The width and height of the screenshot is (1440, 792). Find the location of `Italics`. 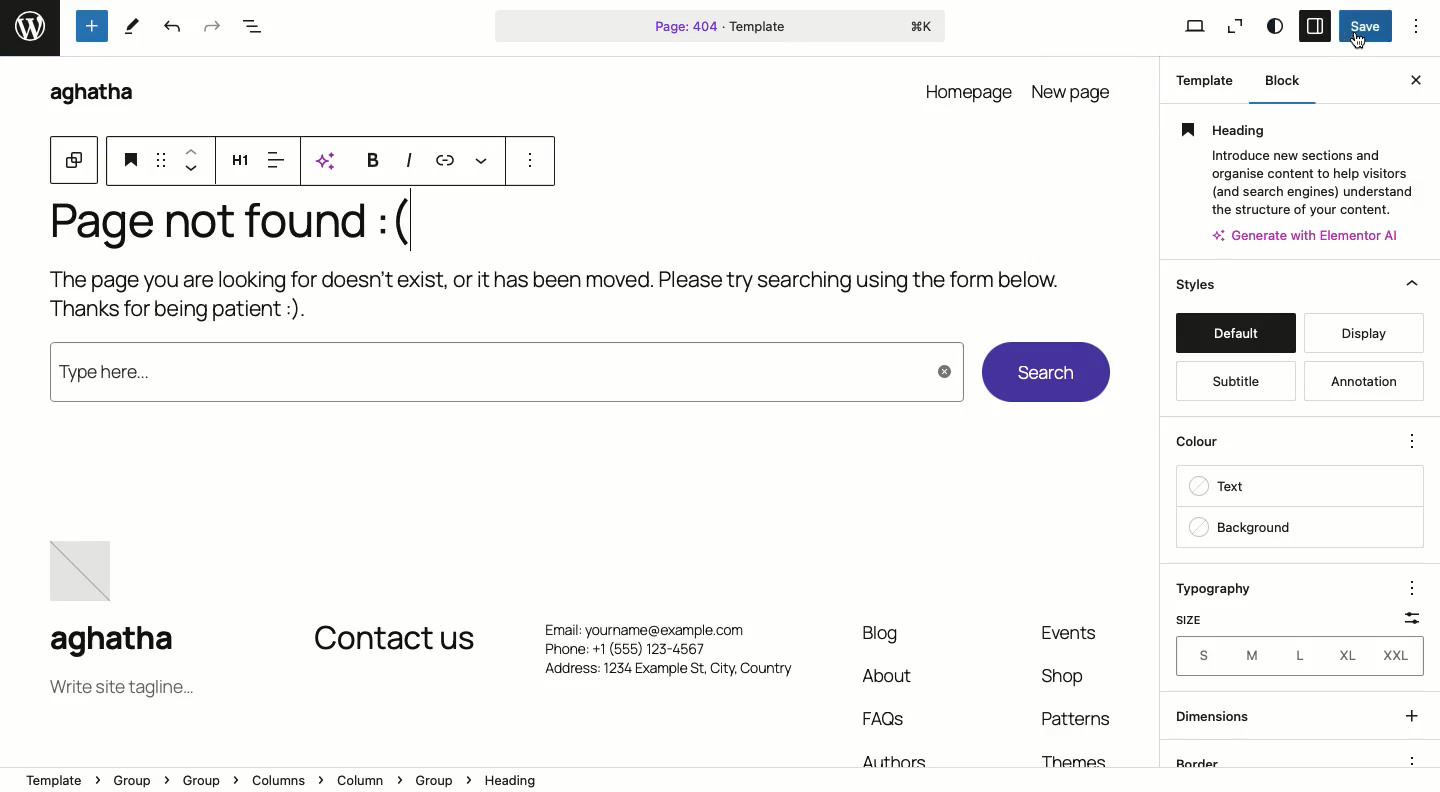

Italics is located at coordinates (409, 160).